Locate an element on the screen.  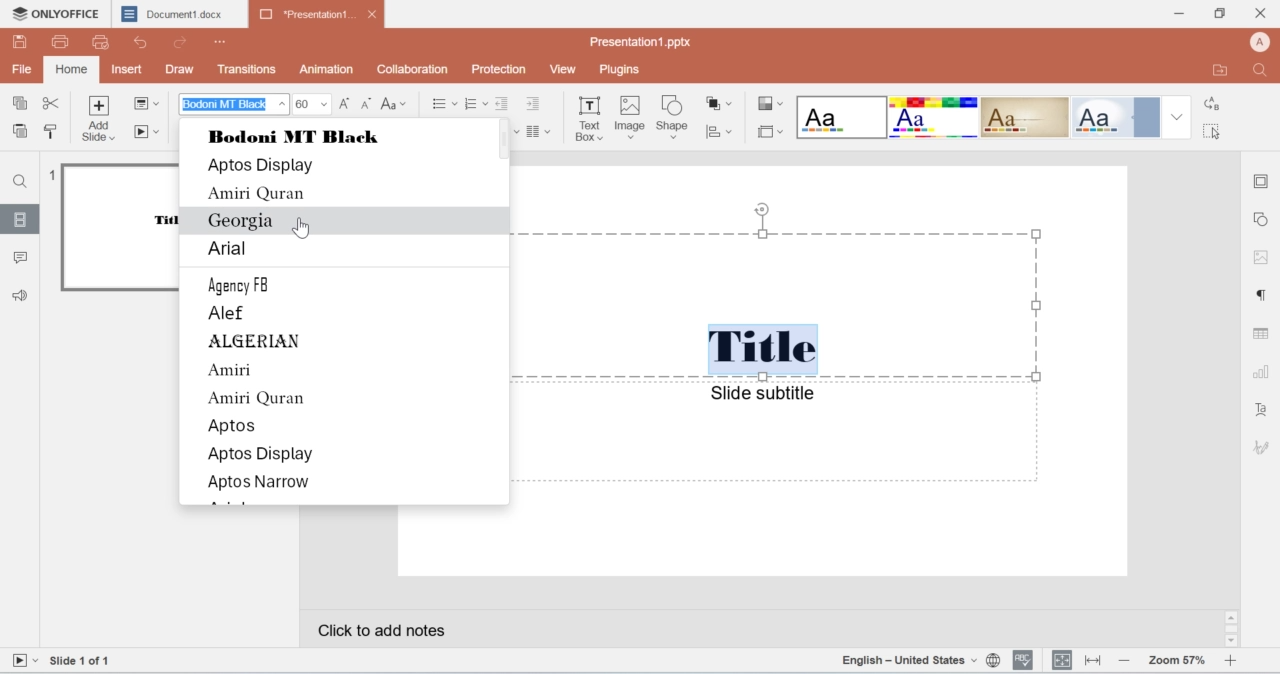
Document1.docx is located at coordinates (179, 13).